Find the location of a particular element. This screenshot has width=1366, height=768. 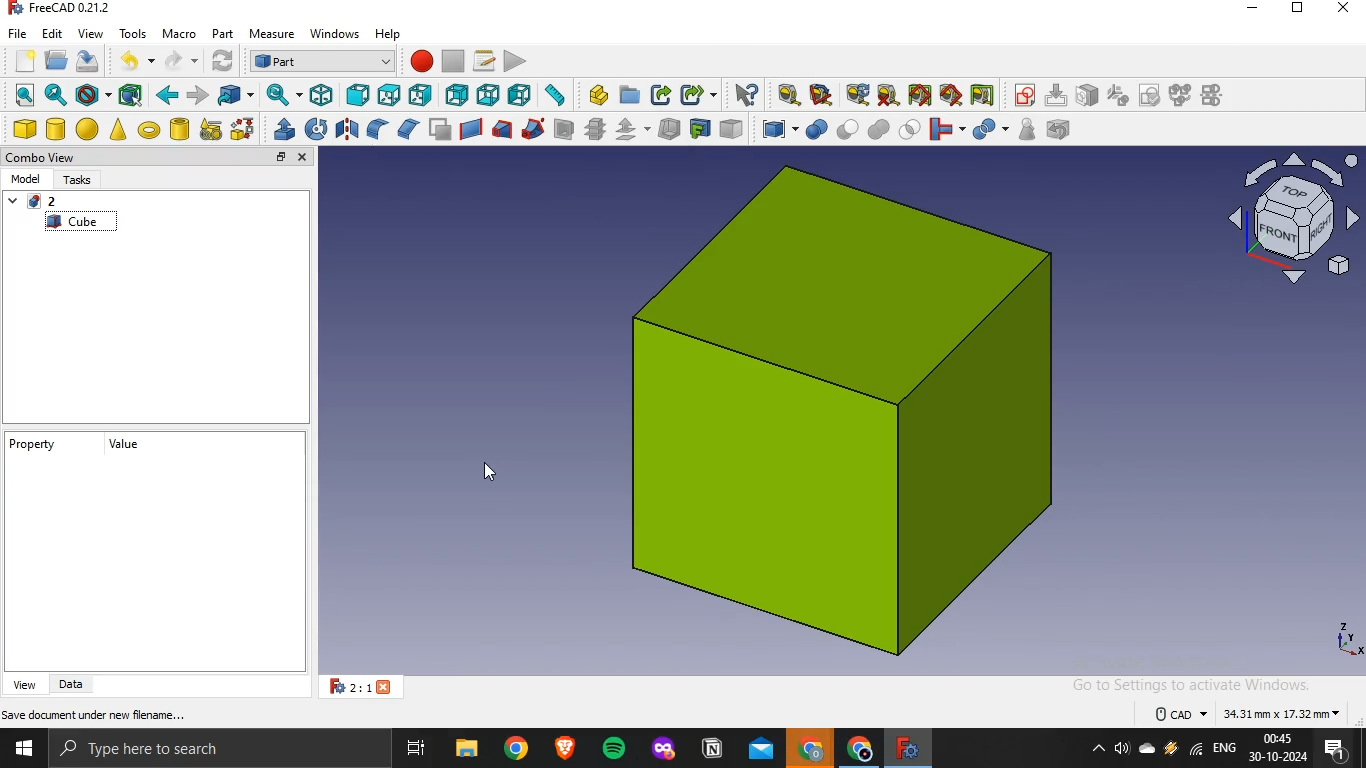

unnmaed is located at coordinates (76, 202).